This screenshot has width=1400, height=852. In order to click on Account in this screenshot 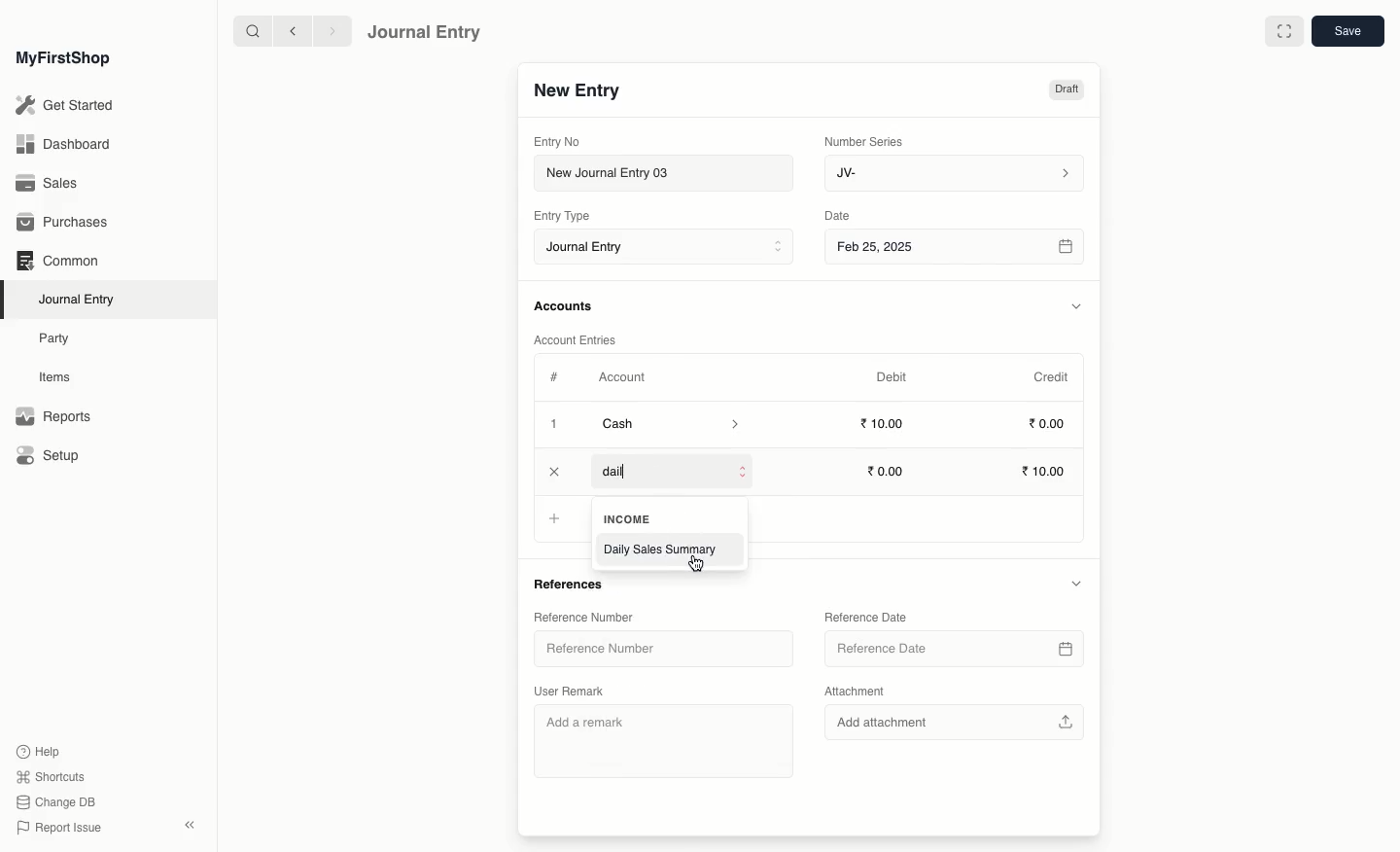, I will do `click(621, 377)`.